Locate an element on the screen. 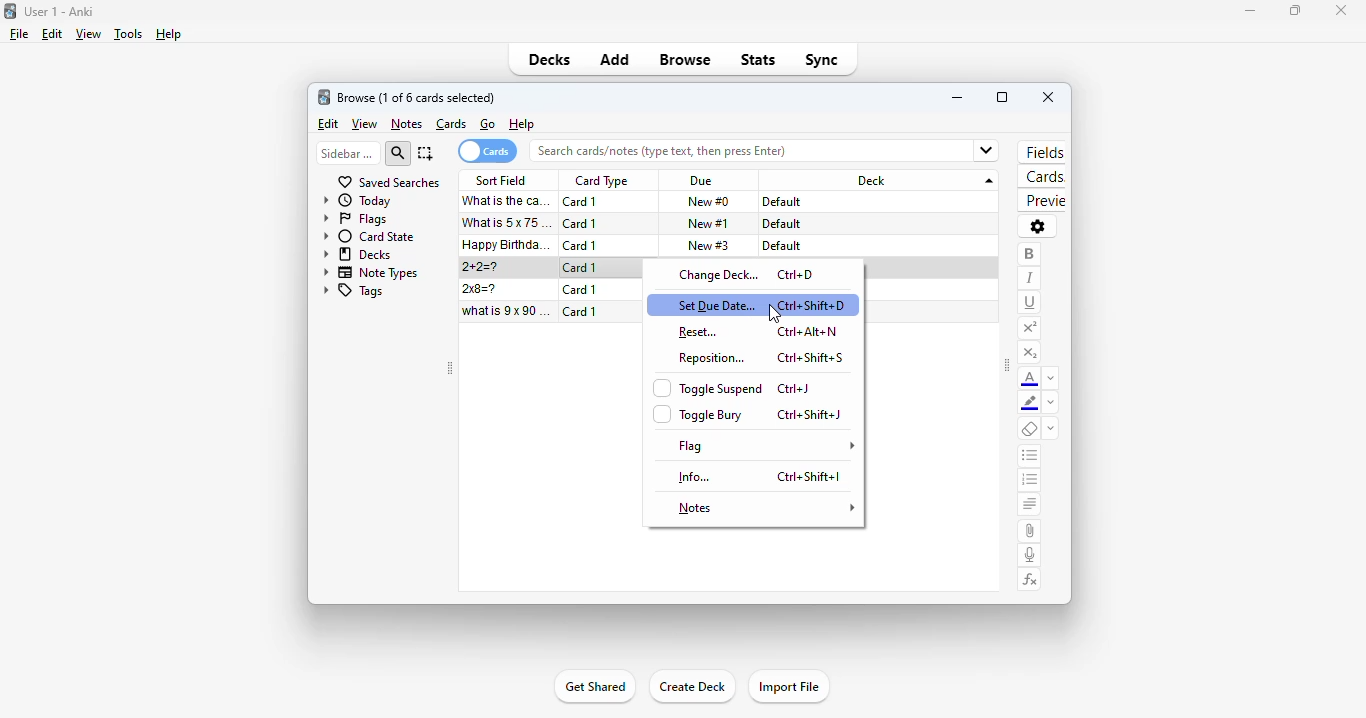 This screenshot has height=718, width=1366. create deck is located at coordinates (692, 687).